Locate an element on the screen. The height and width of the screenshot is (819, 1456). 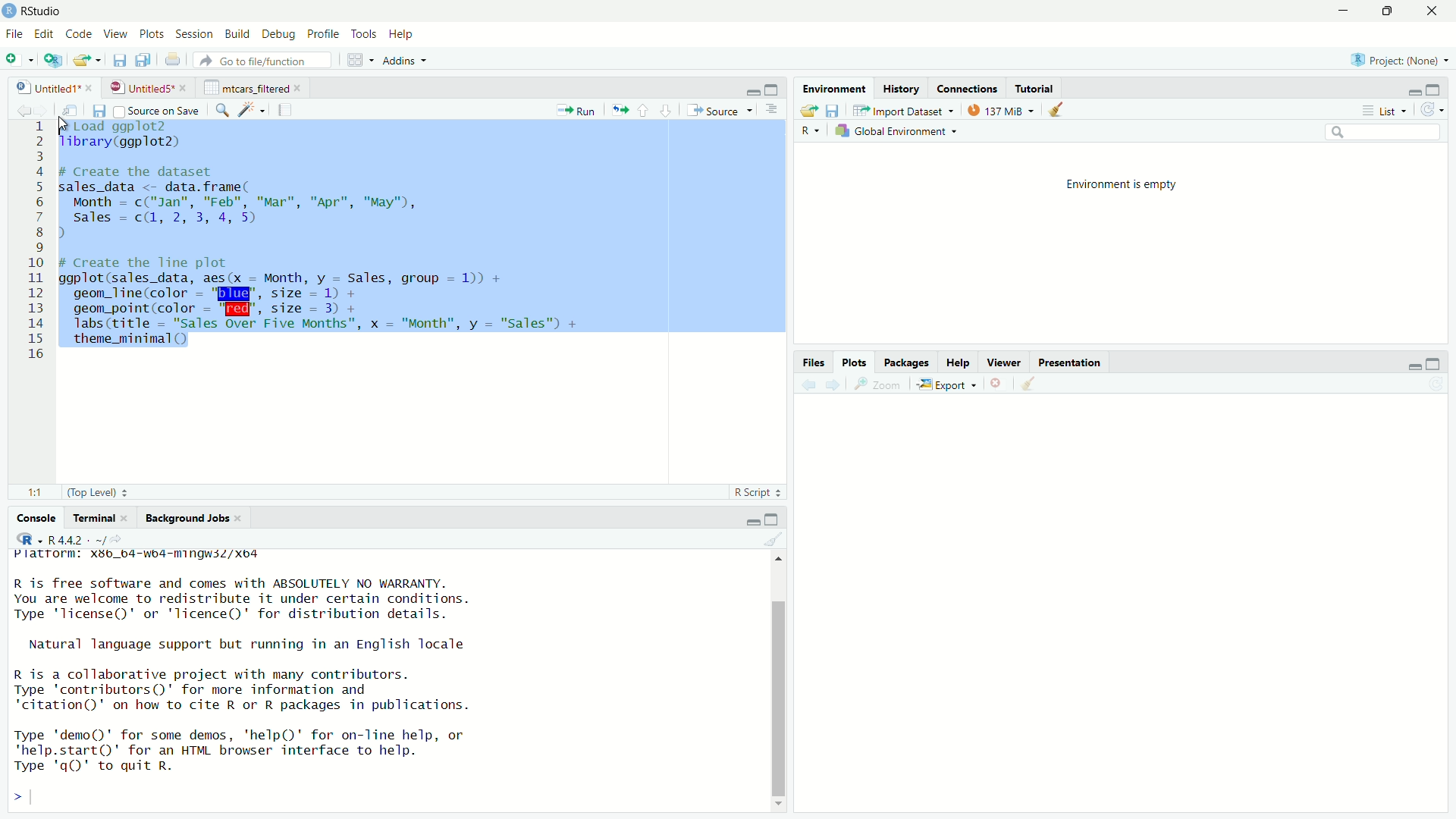
clear current plot is located at coordinates (998, 384).